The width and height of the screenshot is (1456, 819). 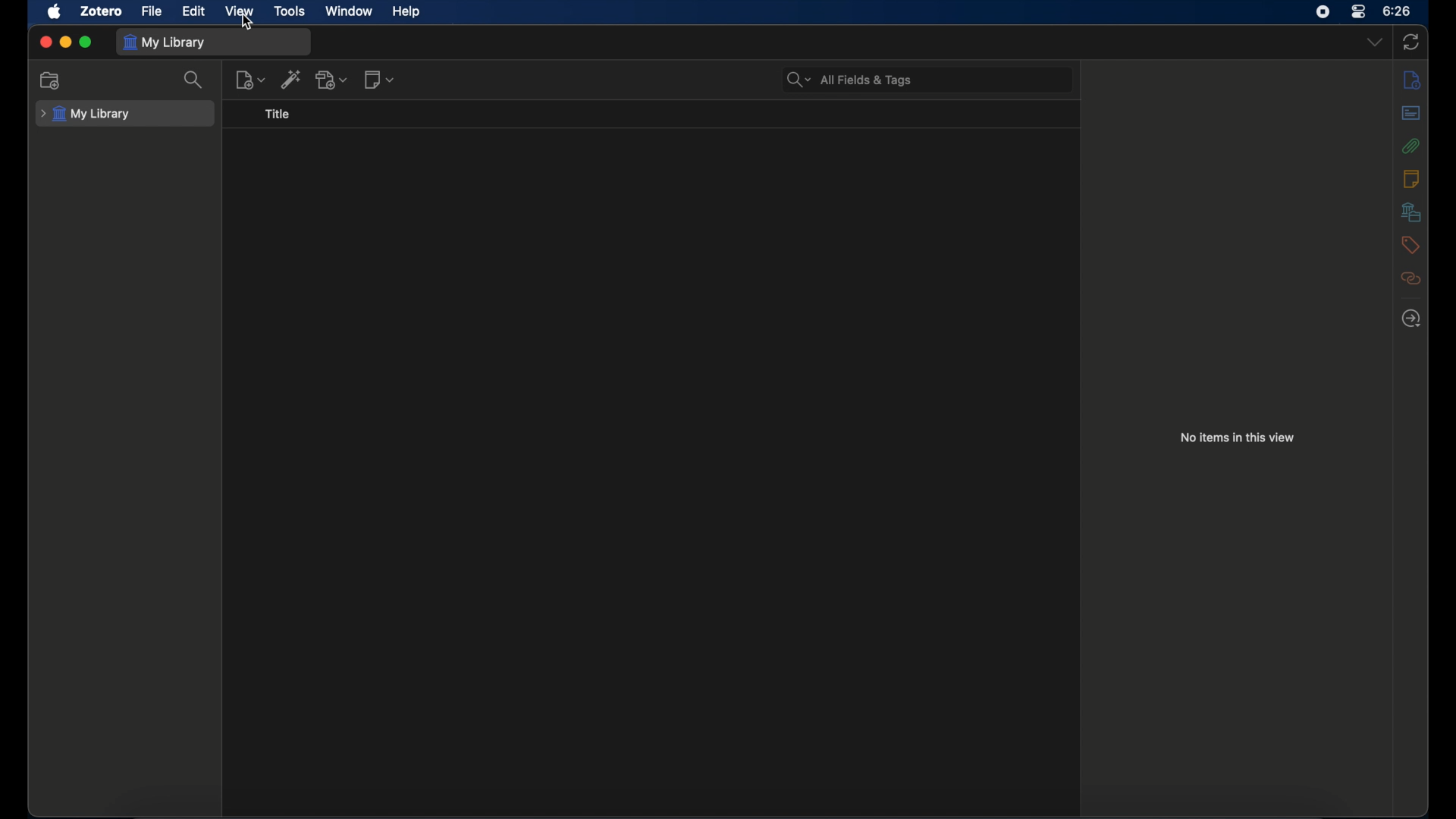 What do you see at coordinates (331, 80) in the screenshot?
I see `add attachment` at bounding box center [331, 80].